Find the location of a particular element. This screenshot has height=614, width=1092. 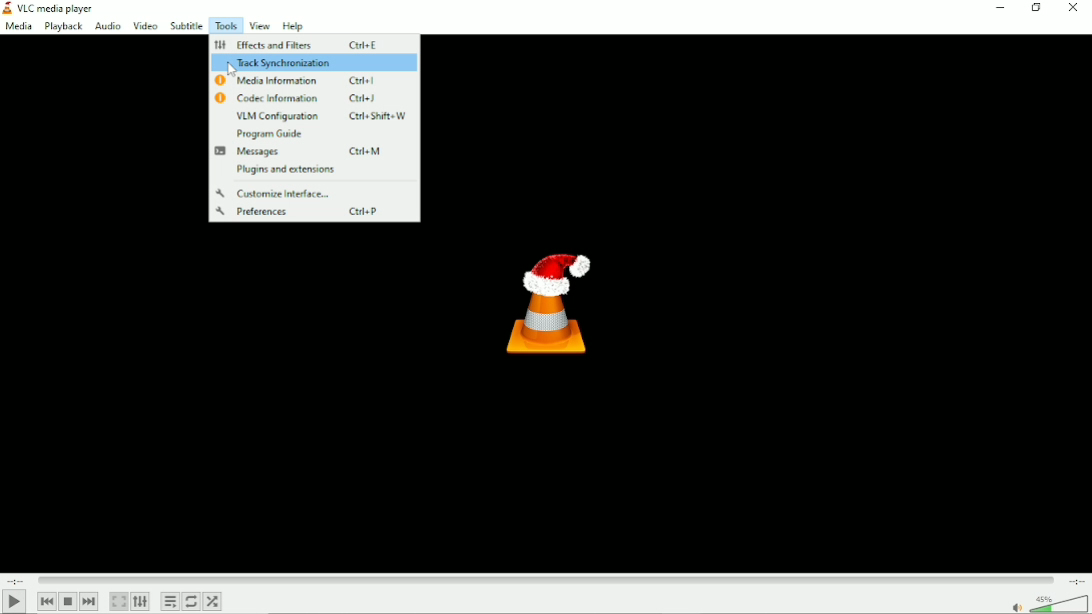

VLC media player is located at coordinates (48, 8).